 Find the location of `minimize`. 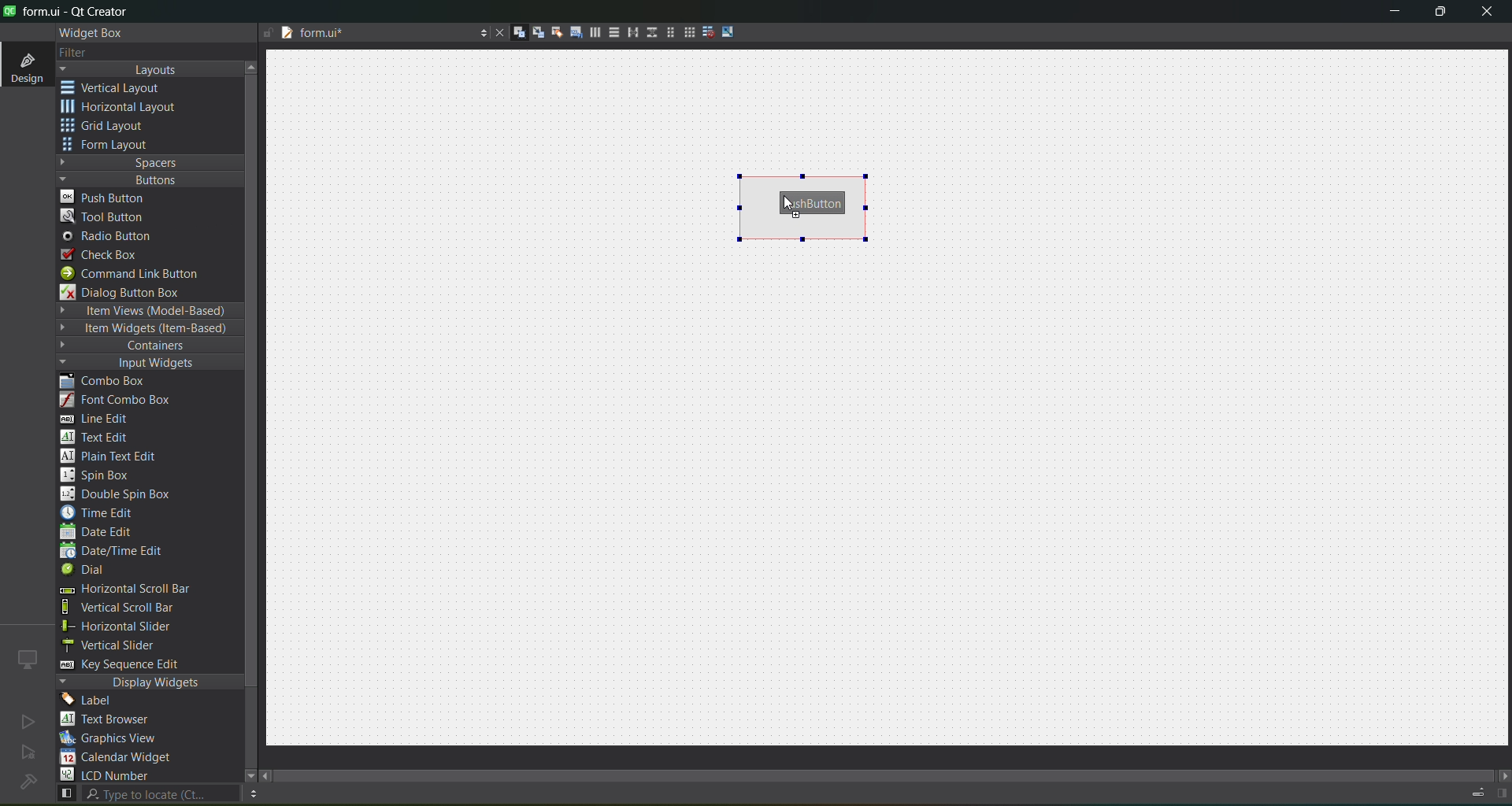

minimize is located at coordinates (1395, 14).